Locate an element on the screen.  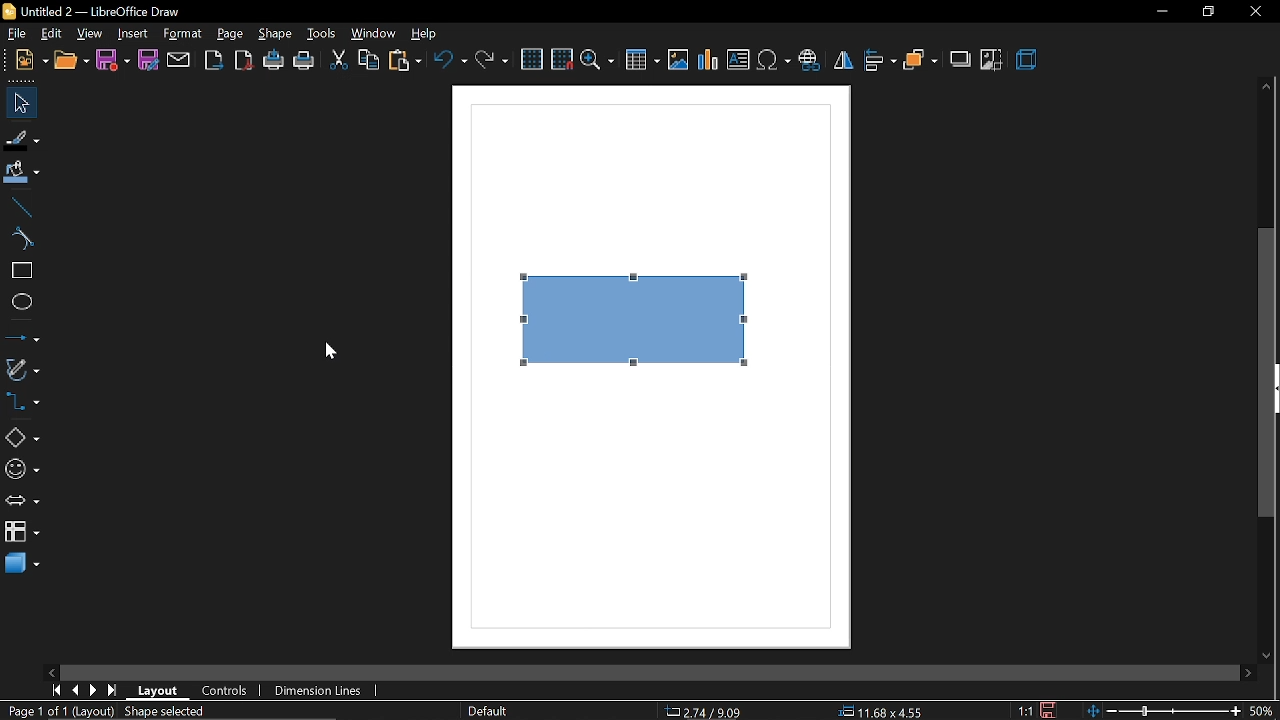
next page is located at coordinates (94, 692).